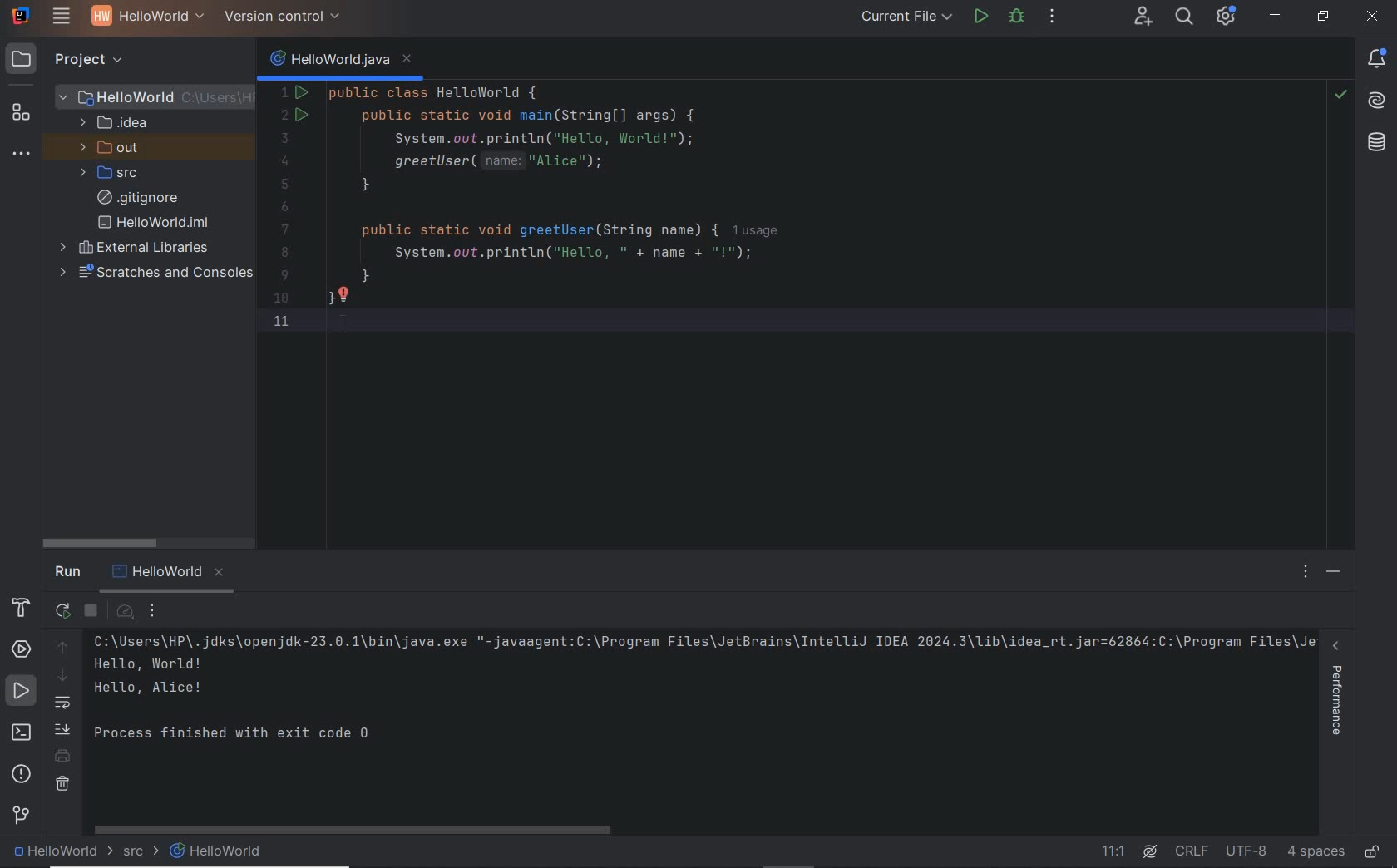  What do you see at coordinates (1375, 17) in the screenshot?
I see `close` at bounding box center [1375, 17].